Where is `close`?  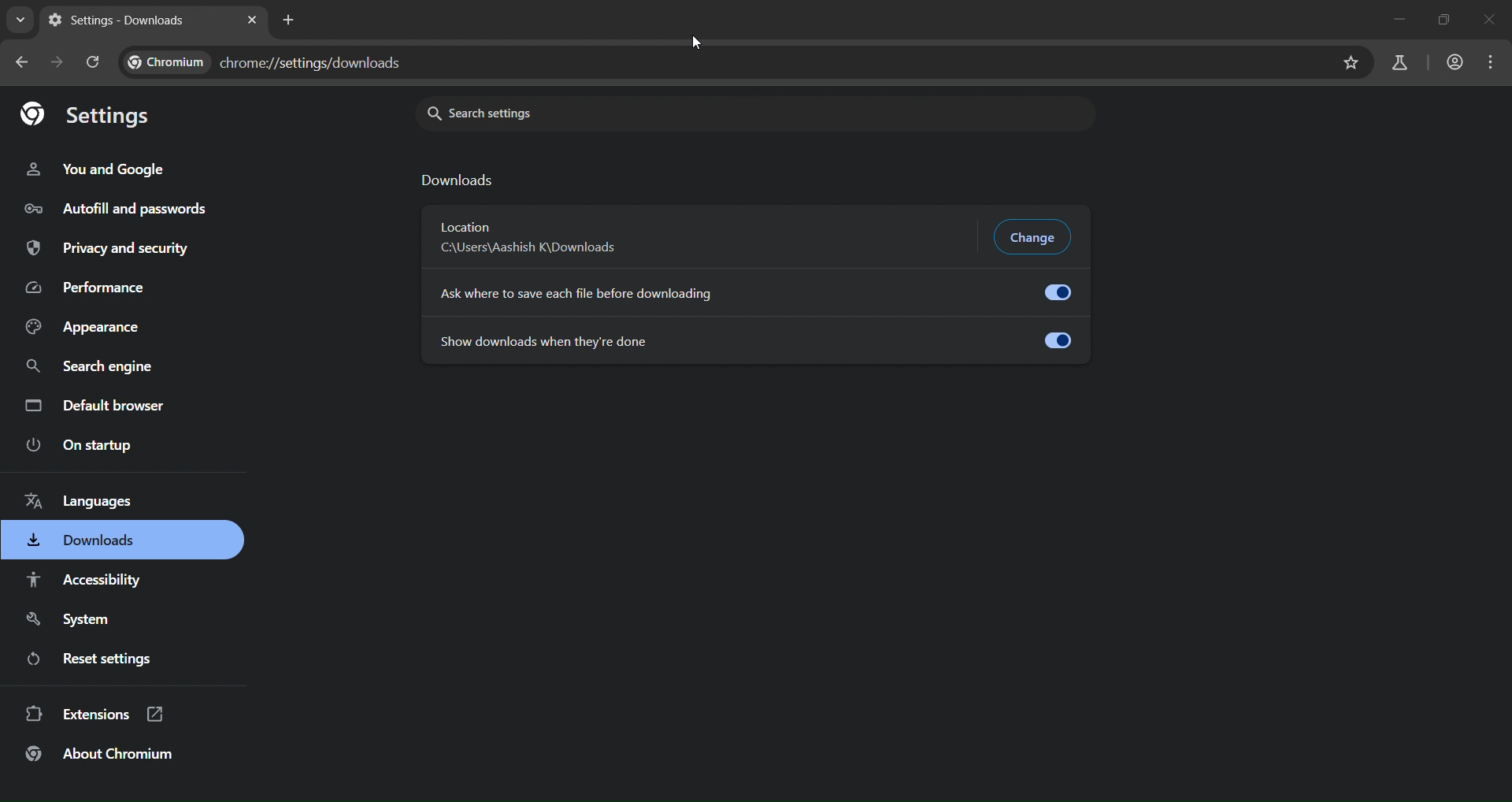 close is located at coordinates (1492, 18).